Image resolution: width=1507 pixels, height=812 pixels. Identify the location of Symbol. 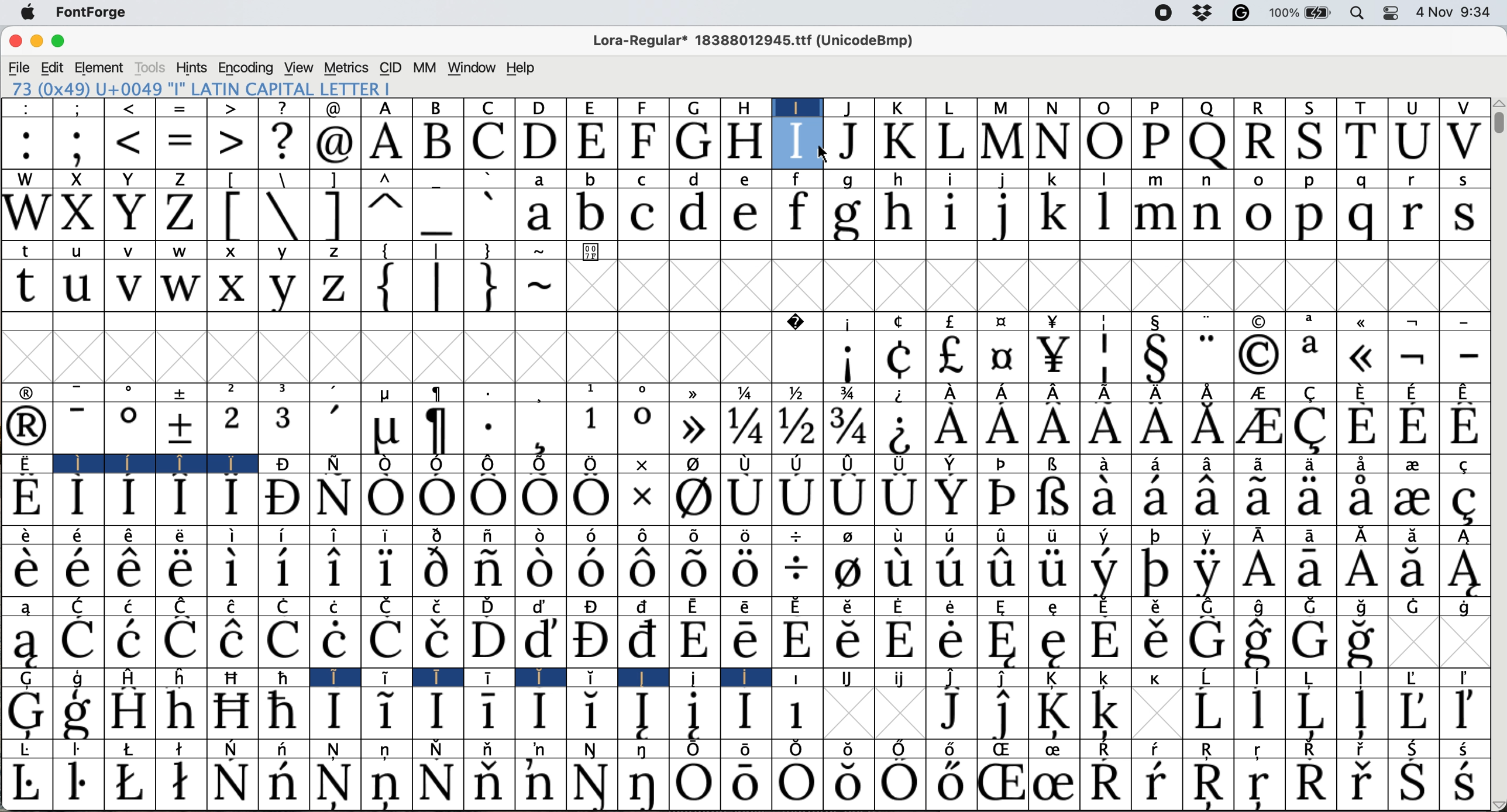
(1152, 640).